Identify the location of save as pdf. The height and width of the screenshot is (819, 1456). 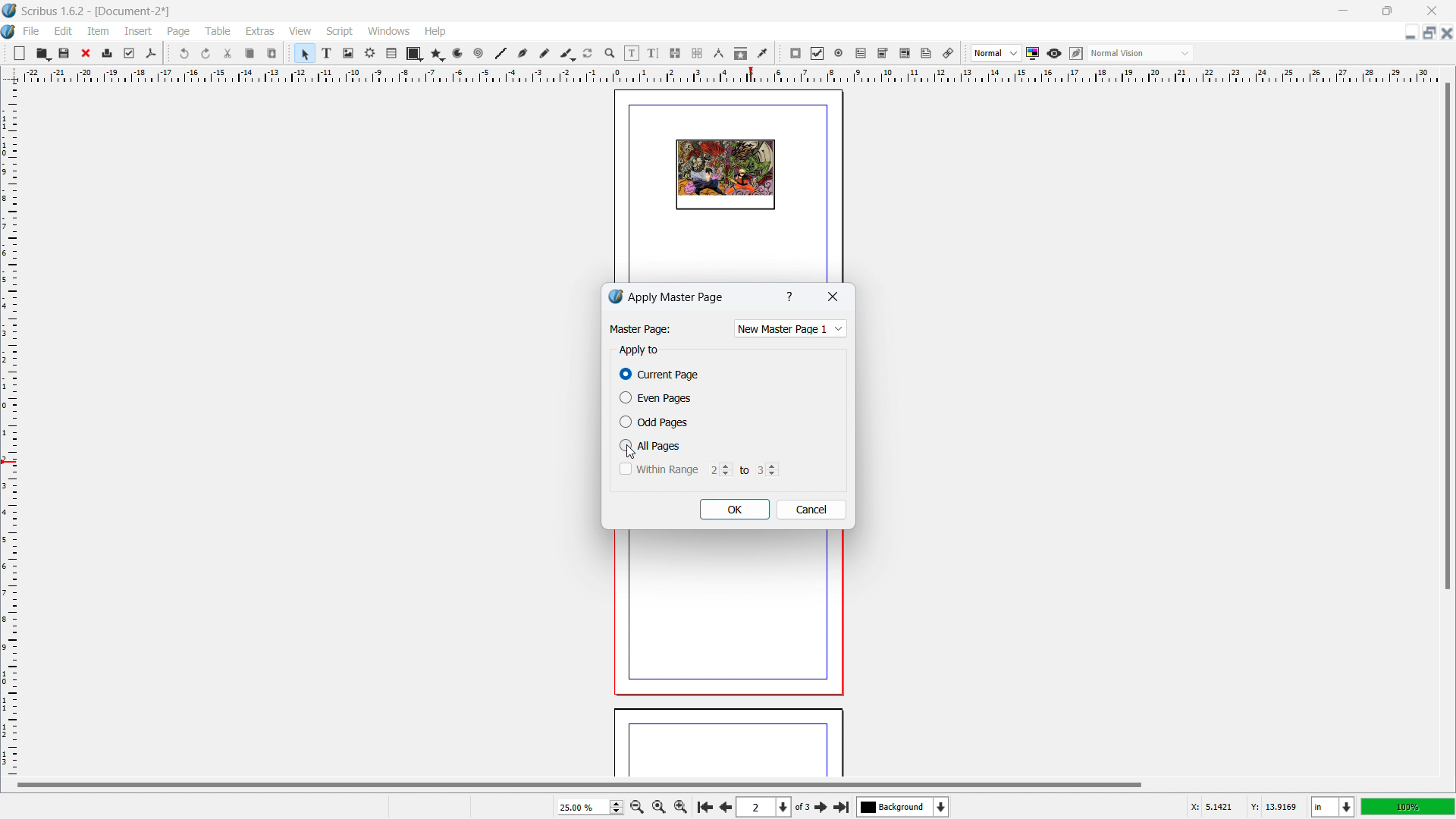
(150, 54).